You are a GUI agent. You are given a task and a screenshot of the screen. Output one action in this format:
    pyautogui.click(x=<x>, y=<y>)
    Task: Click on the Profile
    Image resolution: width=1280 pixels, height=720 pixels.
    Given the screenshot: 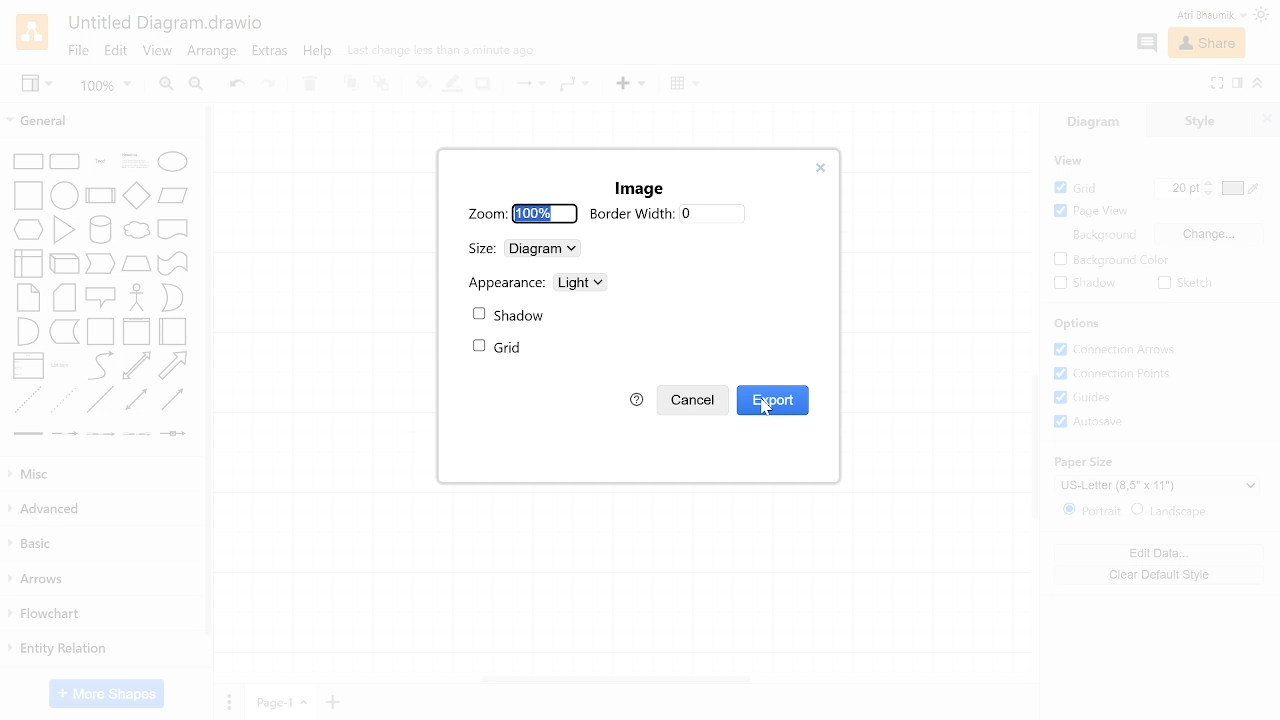 What is the action you would take?
    pyautogui.click(x=1194, y=16)
    